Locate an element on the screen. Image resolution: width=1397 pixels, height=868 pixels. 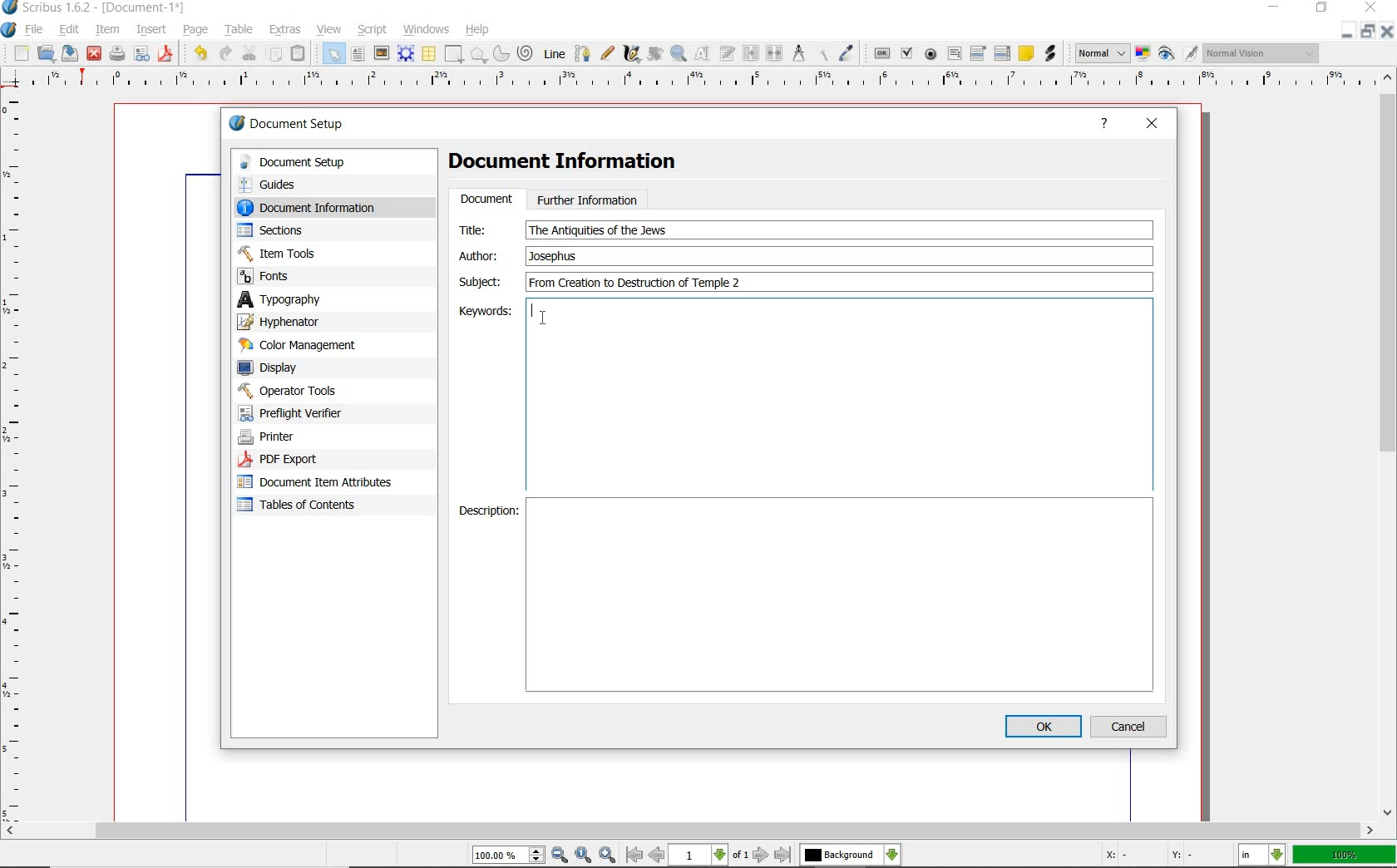
print is located at coordinates (117, 55).